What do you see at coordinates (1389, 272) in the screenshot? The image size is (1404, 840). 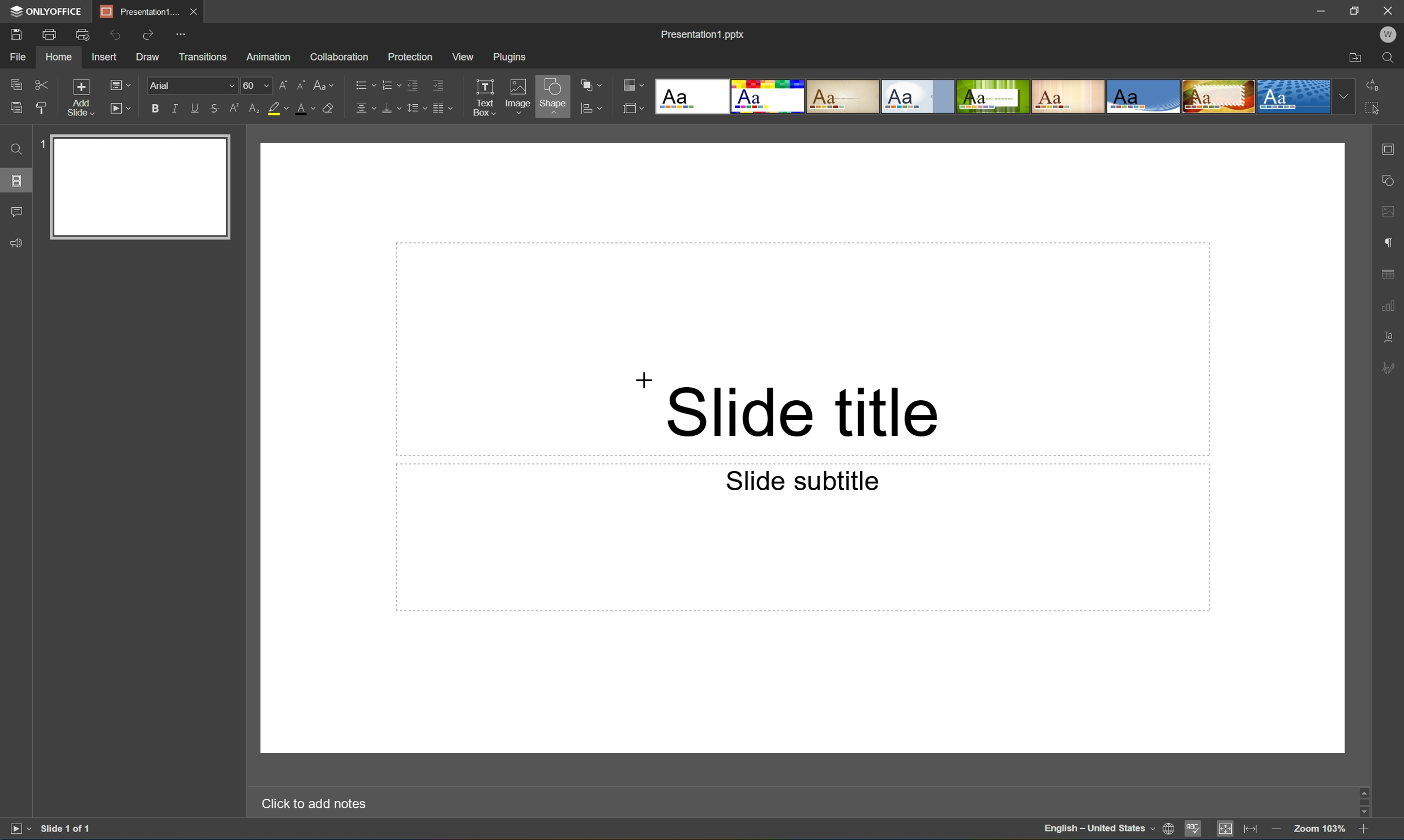 I see `table settings` at bounding box center [1389, 272].